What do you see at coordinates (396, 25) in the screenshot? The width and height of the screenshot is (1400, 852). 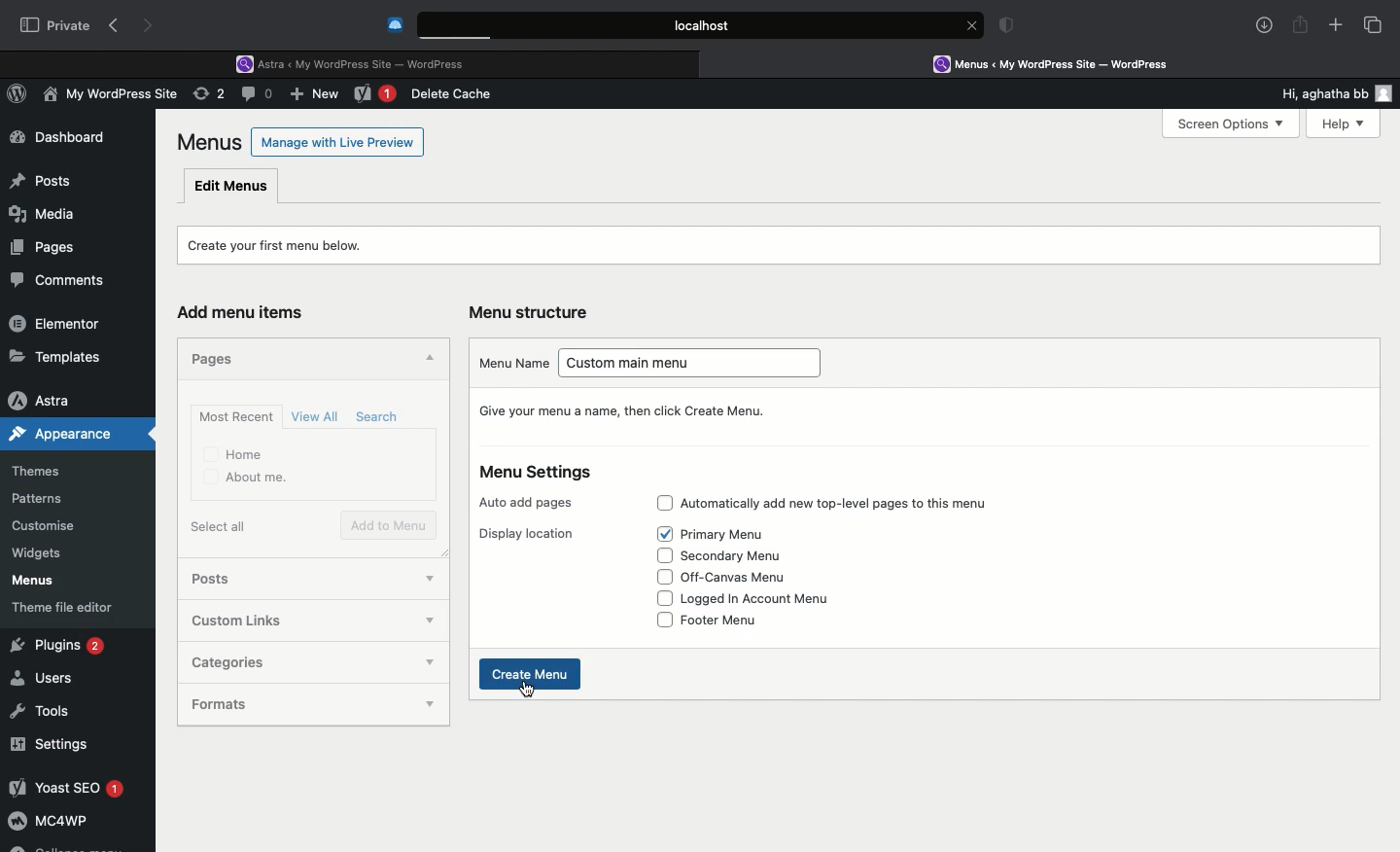 I see `Cold turkey` at bounding box center [396, 25].